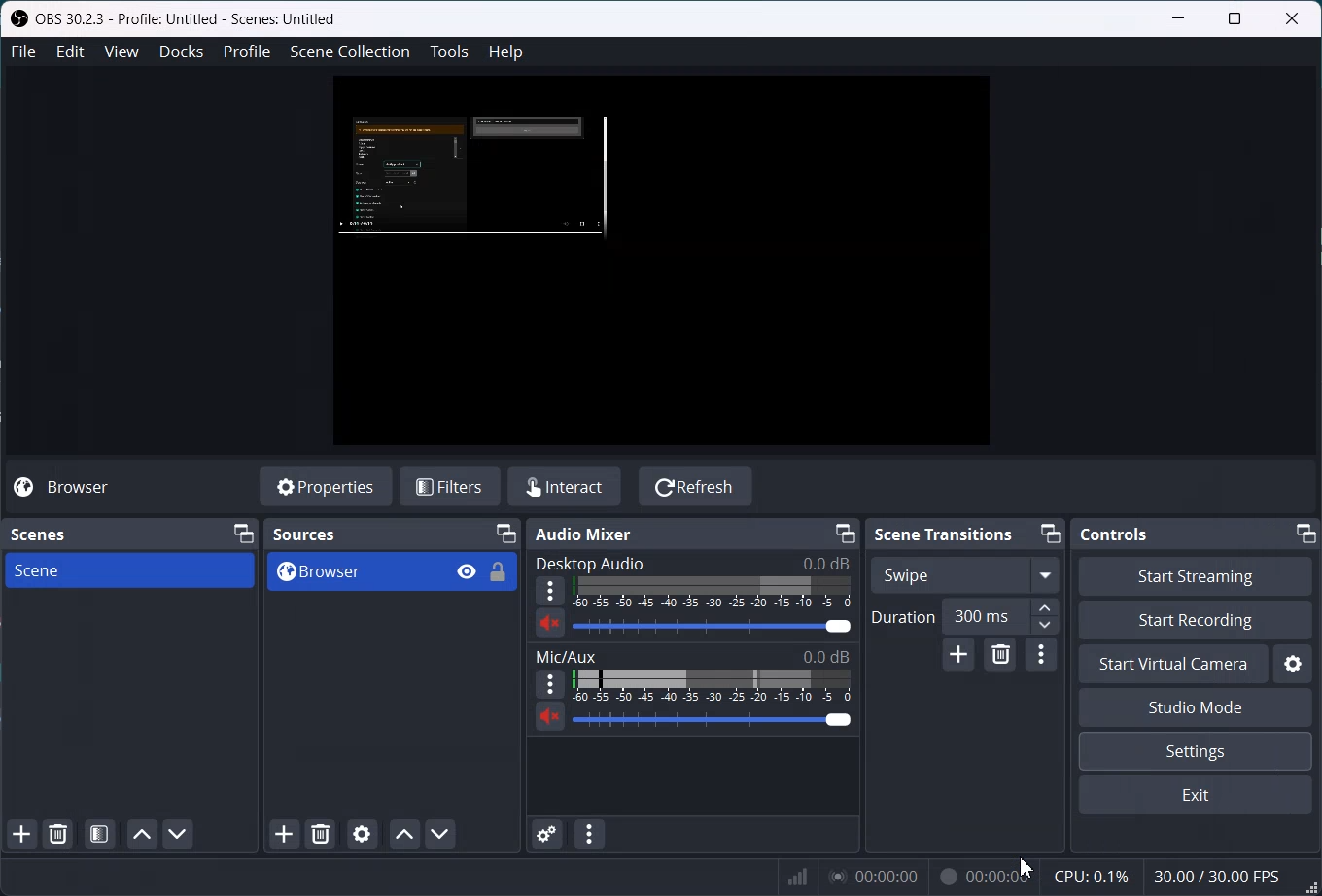 The image size is (1322, 896). I want to click on Tools, so click(447, 52).